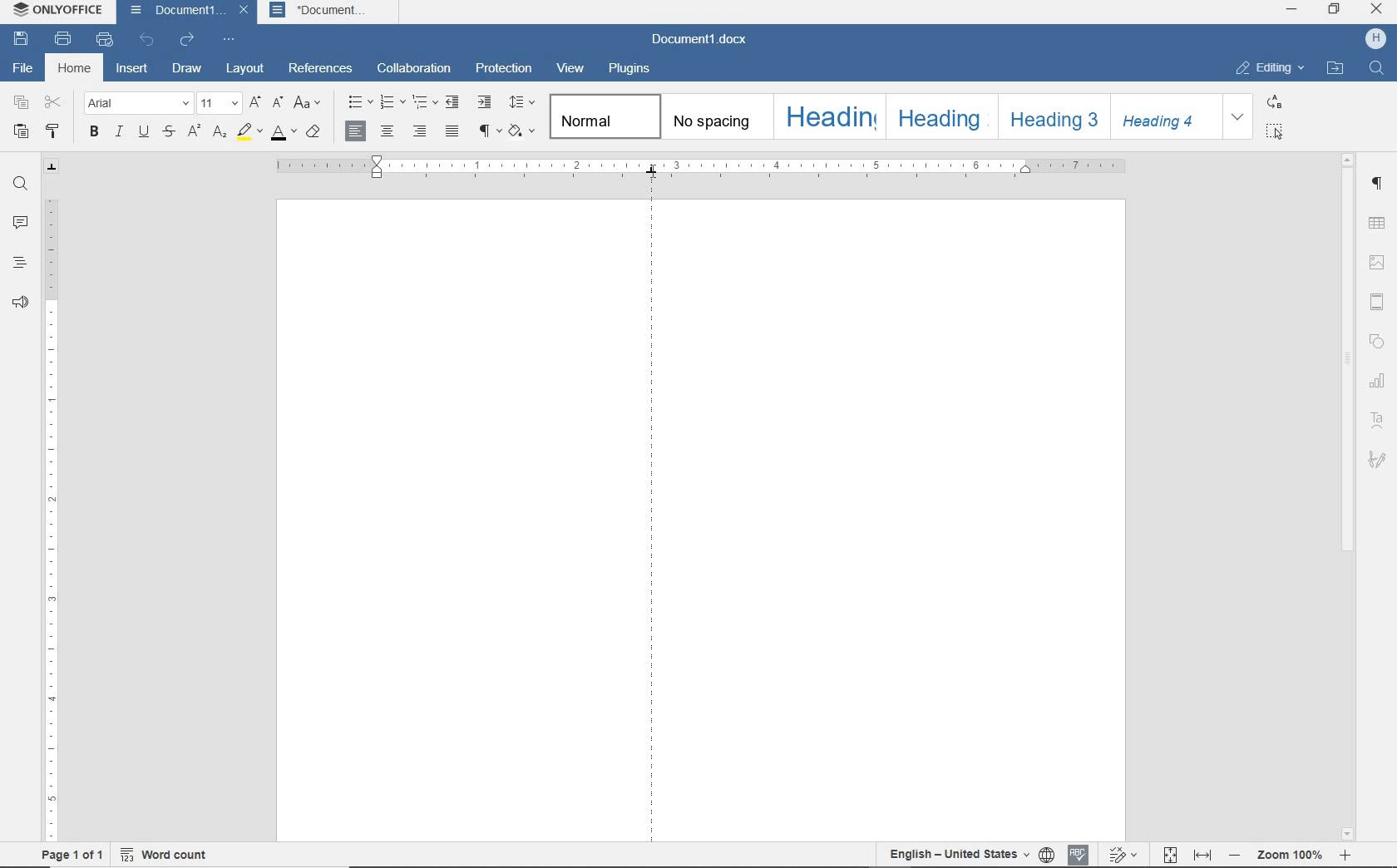  I want to click on ALIGN CENTER, so click(387, 131).